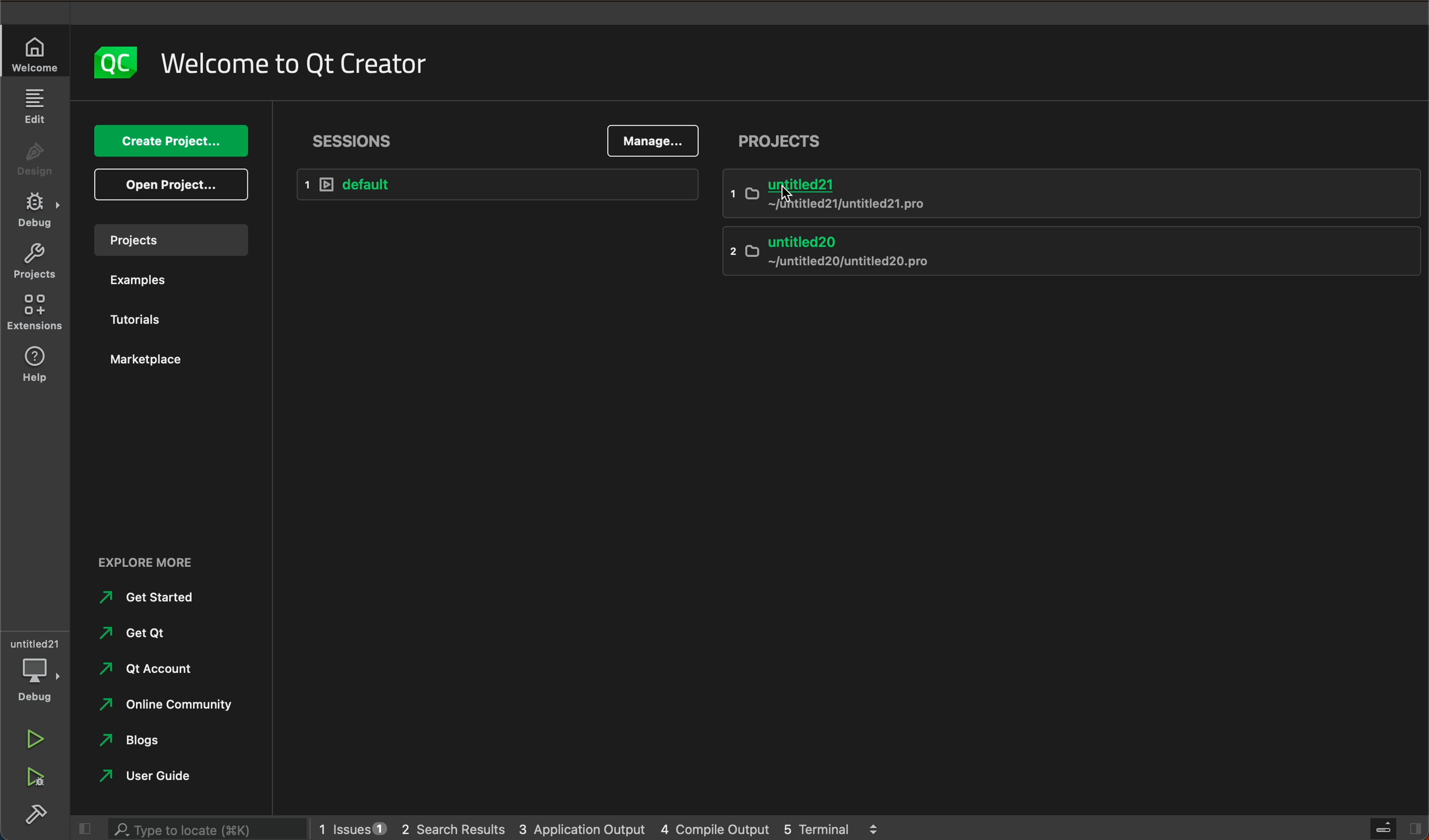 This screenshot has height=840, width=1429. Describe the element at coordinates (35, 106) in the screenshot. I see `edit` at that location.